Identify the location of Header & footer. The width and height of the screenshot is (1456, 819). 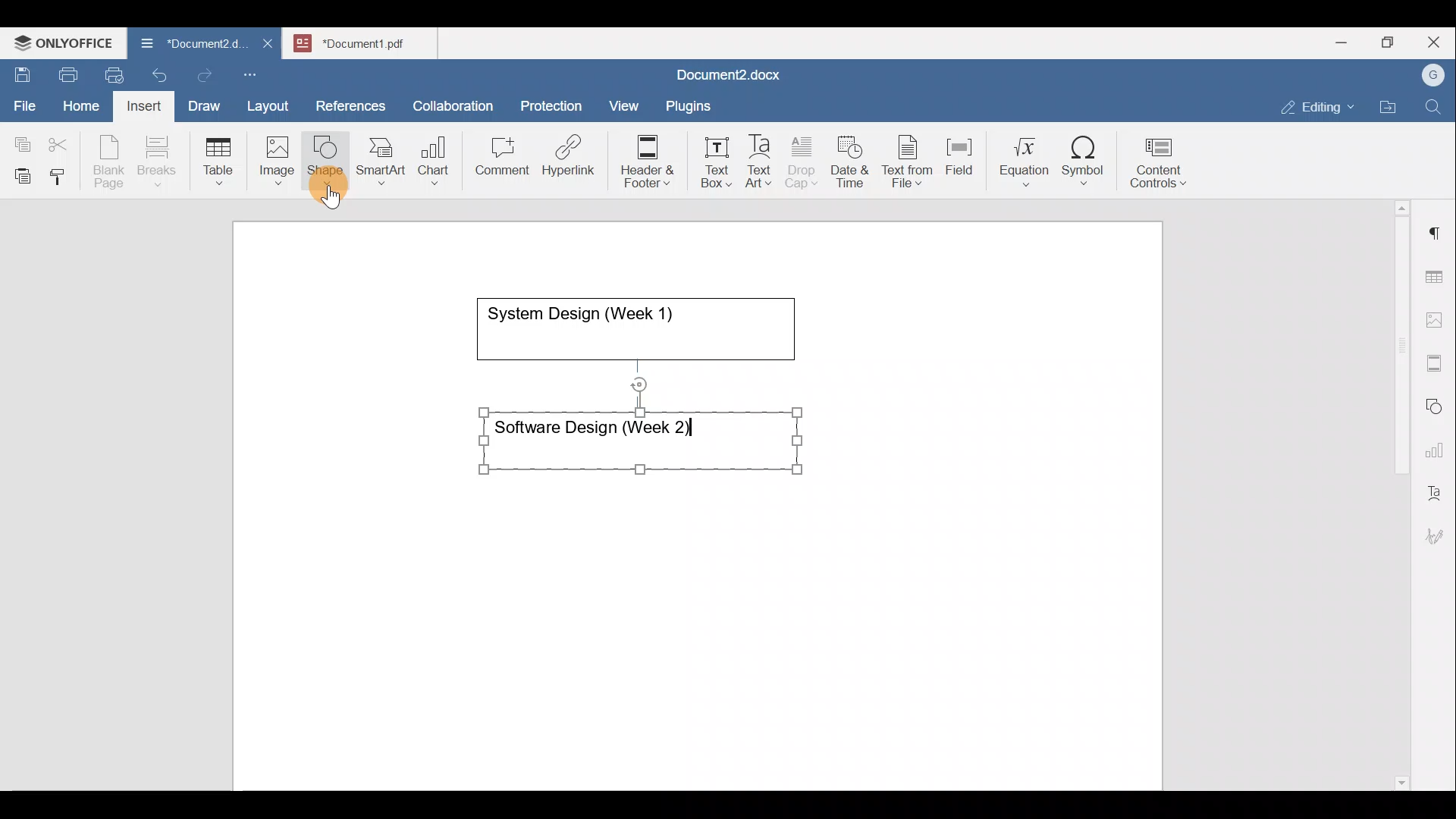
(642, 160).